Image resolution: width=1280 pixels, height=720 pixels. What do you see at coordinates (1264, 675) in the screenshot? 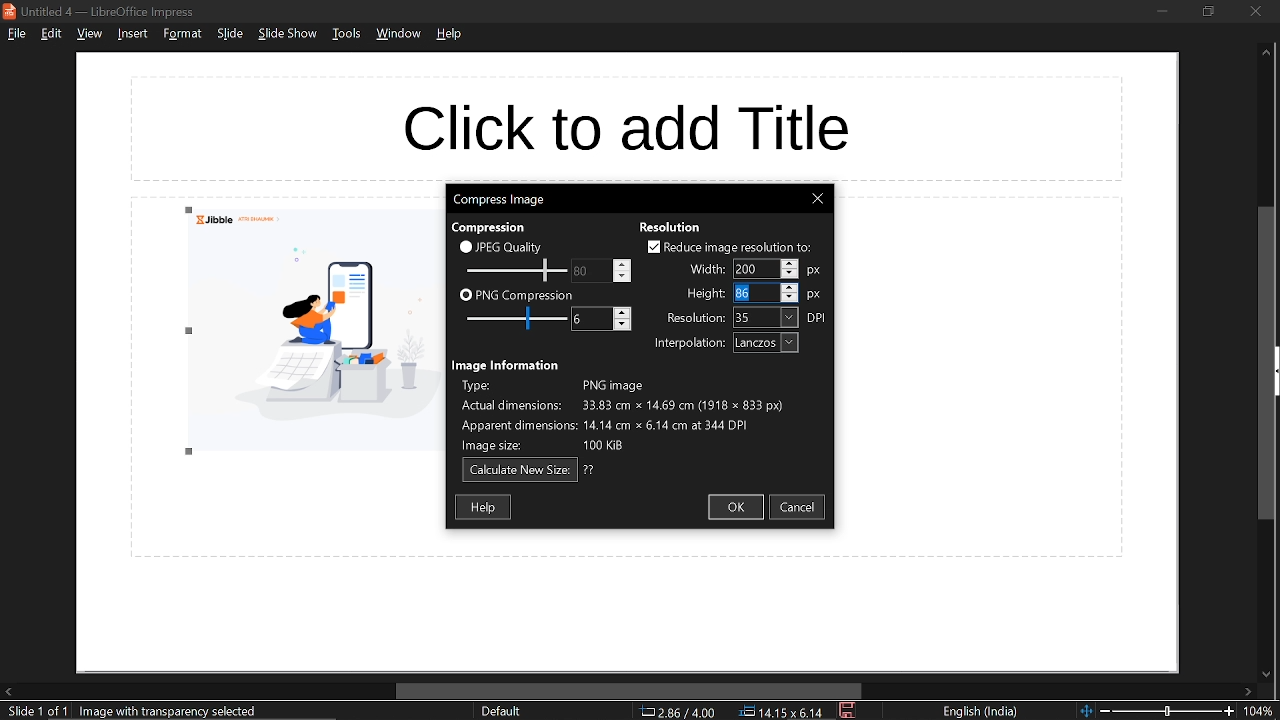
I see `move down` at bounding box center [1264, 675].